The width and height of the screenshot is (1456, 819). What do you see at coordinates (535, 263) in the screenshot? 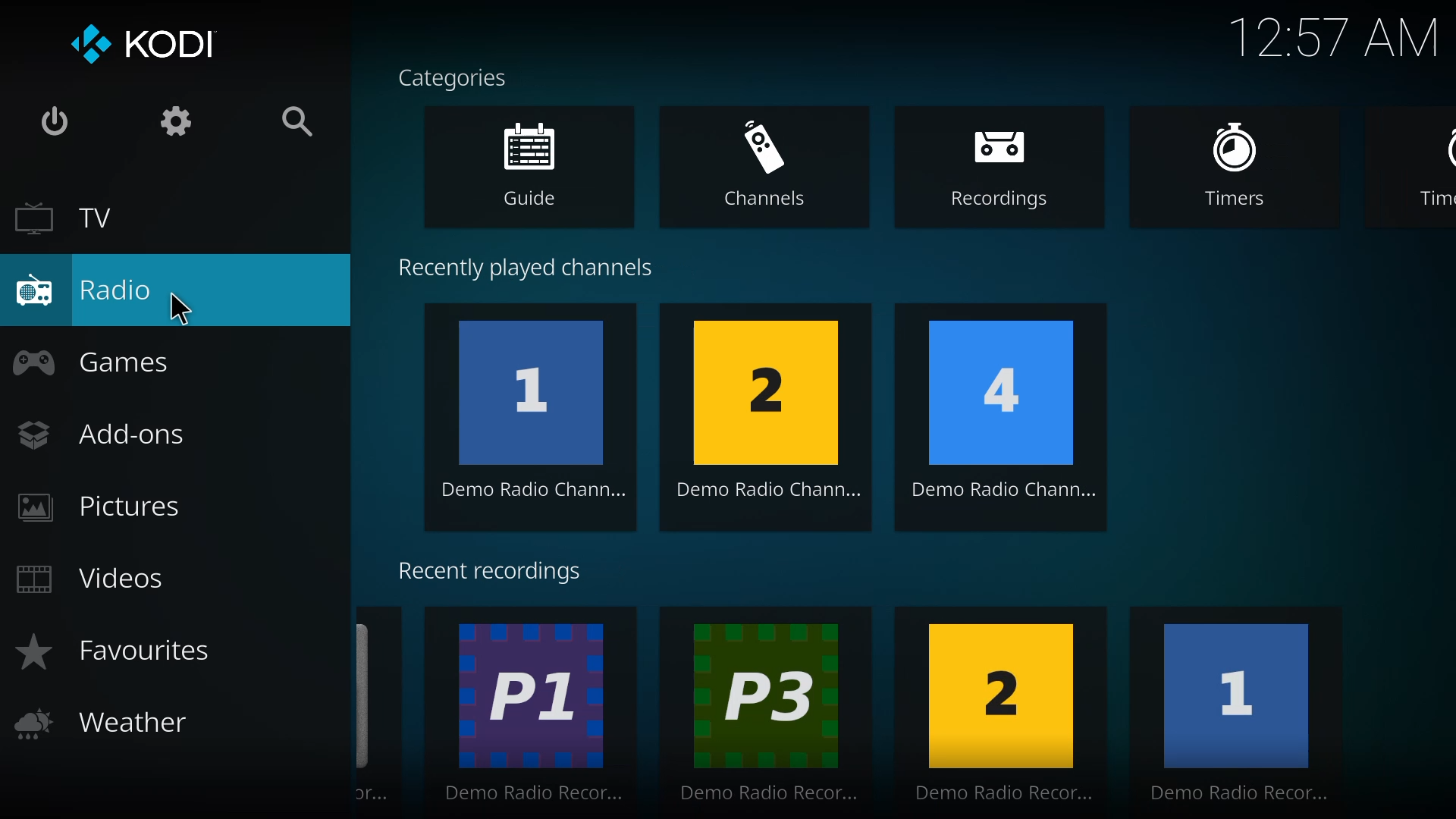
I see `recently played` at bounding box center [535, 263].